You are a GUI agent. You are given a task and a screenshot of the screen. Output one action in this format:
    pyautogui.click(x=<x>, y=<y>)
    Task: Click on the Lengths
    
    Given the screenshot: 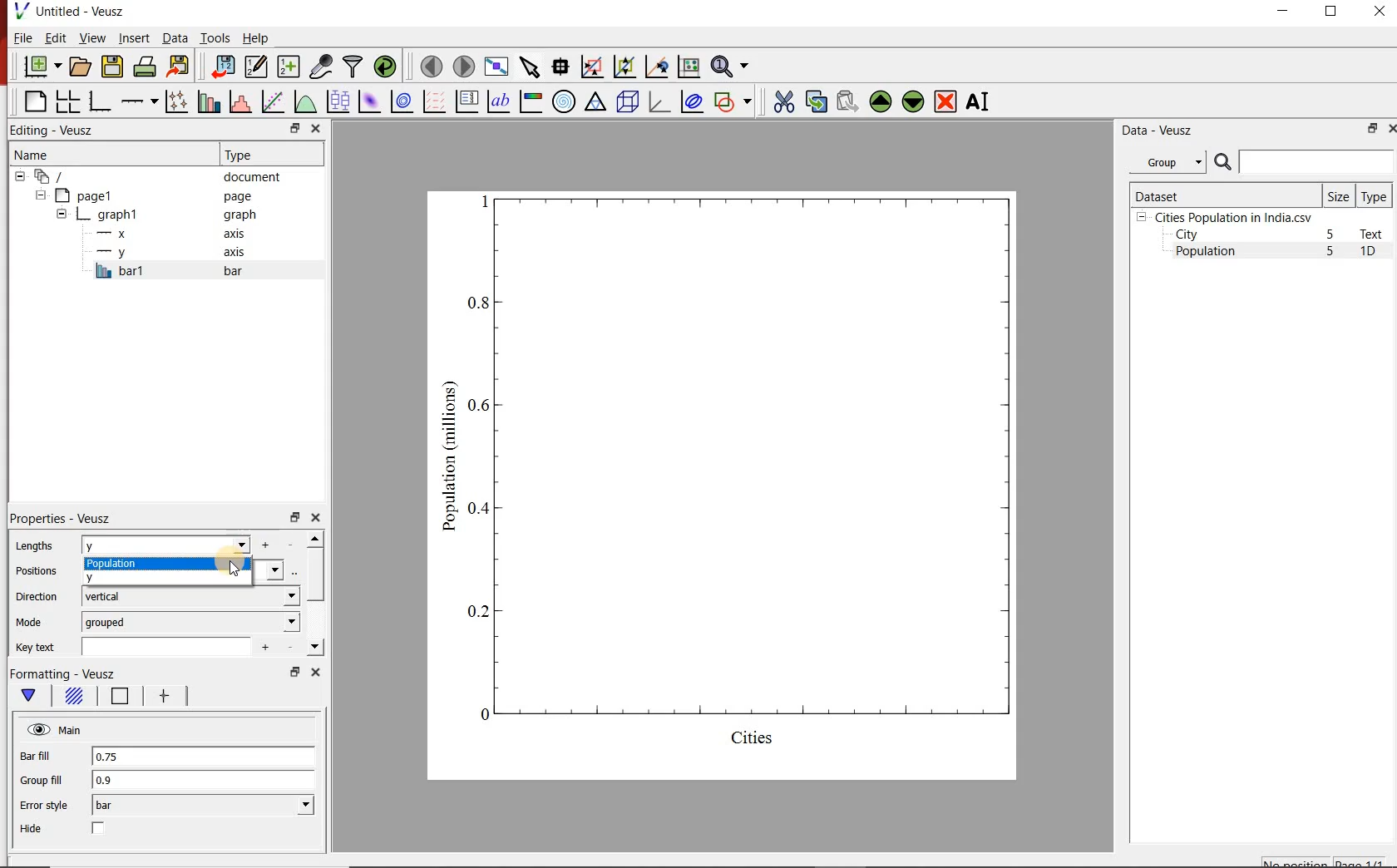 What is the action you would take?
    pyautogui.click(x=33, y=545)
    